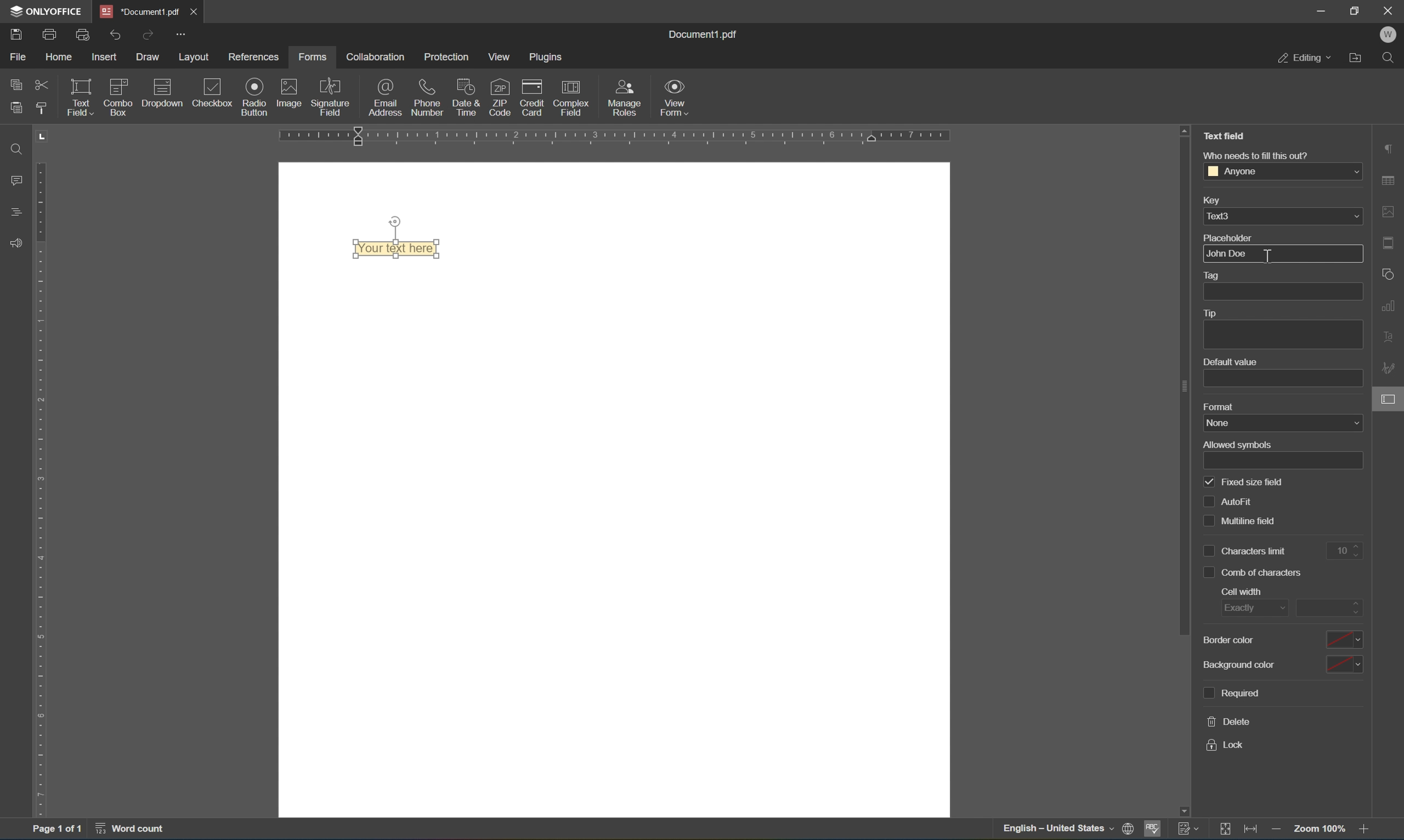  Describe the element at coordinates (1253, 832) in the screenshot. I see `fit to width` at that location.